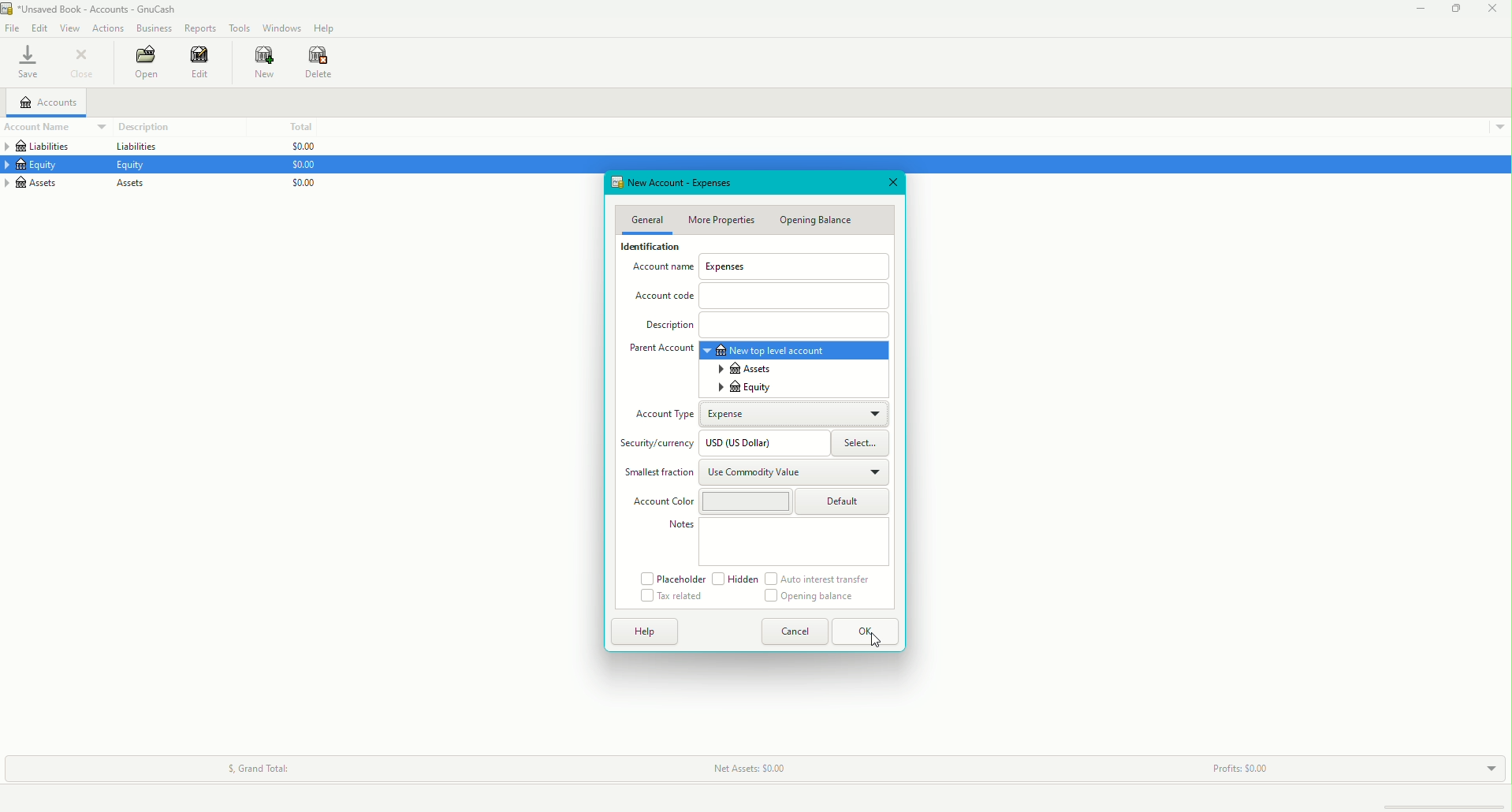 This screenshot has height=812, width=1512. Describe the element at coordinates (650, 245) in the screenshot. I see `Identification` at that location.